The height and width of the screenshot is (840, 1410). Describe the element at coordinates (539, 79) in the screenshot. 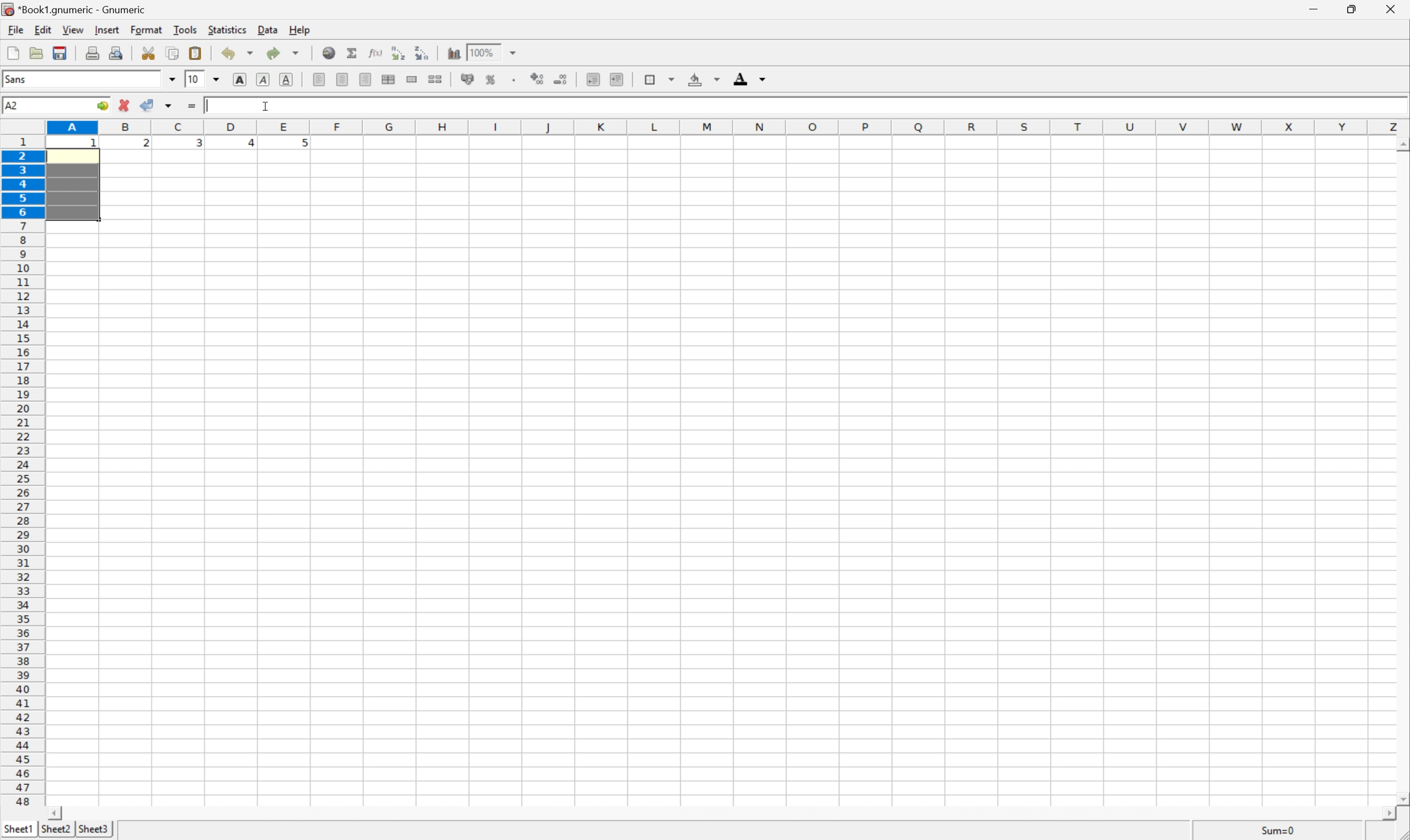

I see `increase number of decimals displayed` at that location.